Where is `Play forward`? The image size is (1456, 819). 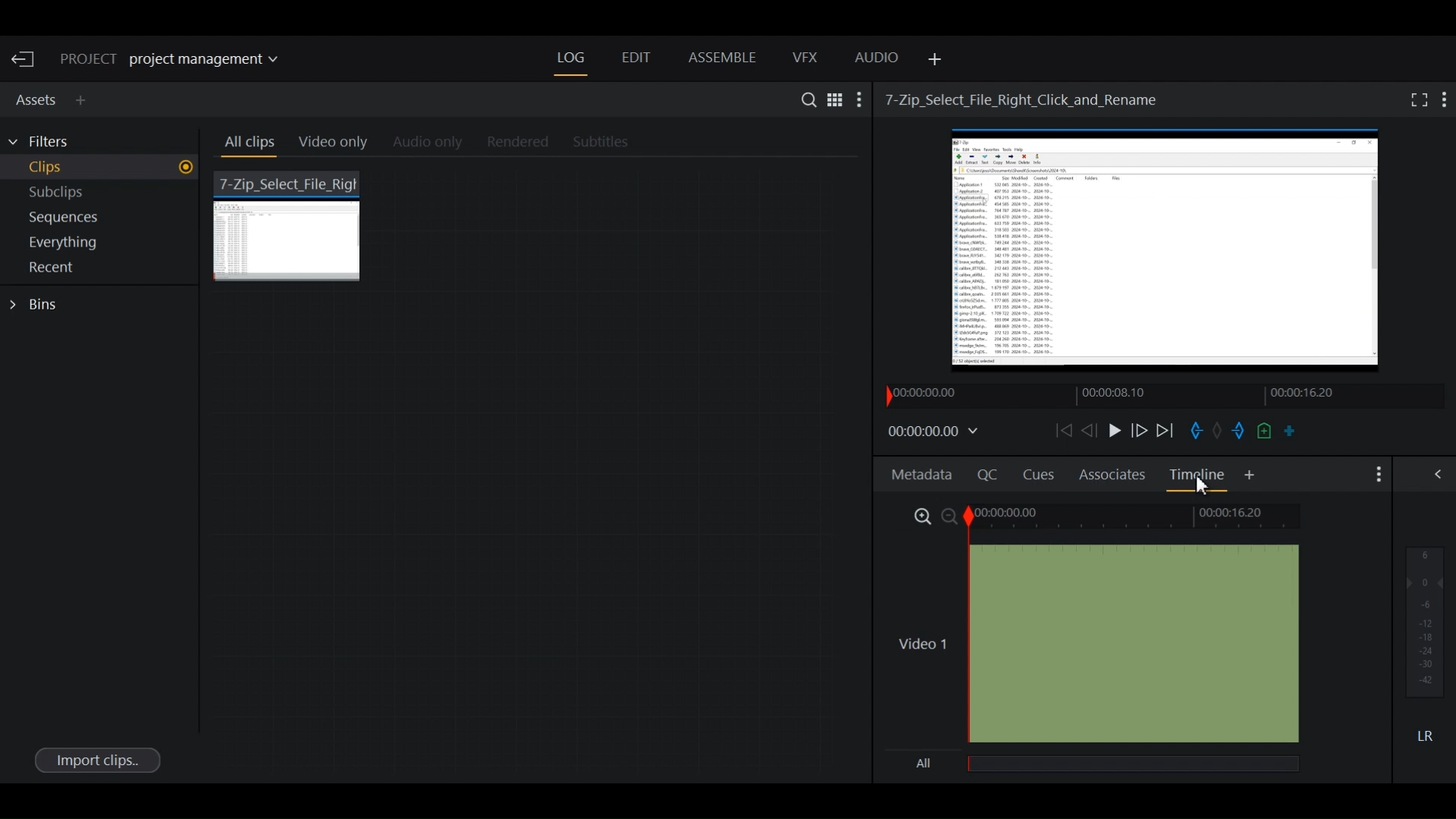 Play forward is located at coordinates (1166, 431).